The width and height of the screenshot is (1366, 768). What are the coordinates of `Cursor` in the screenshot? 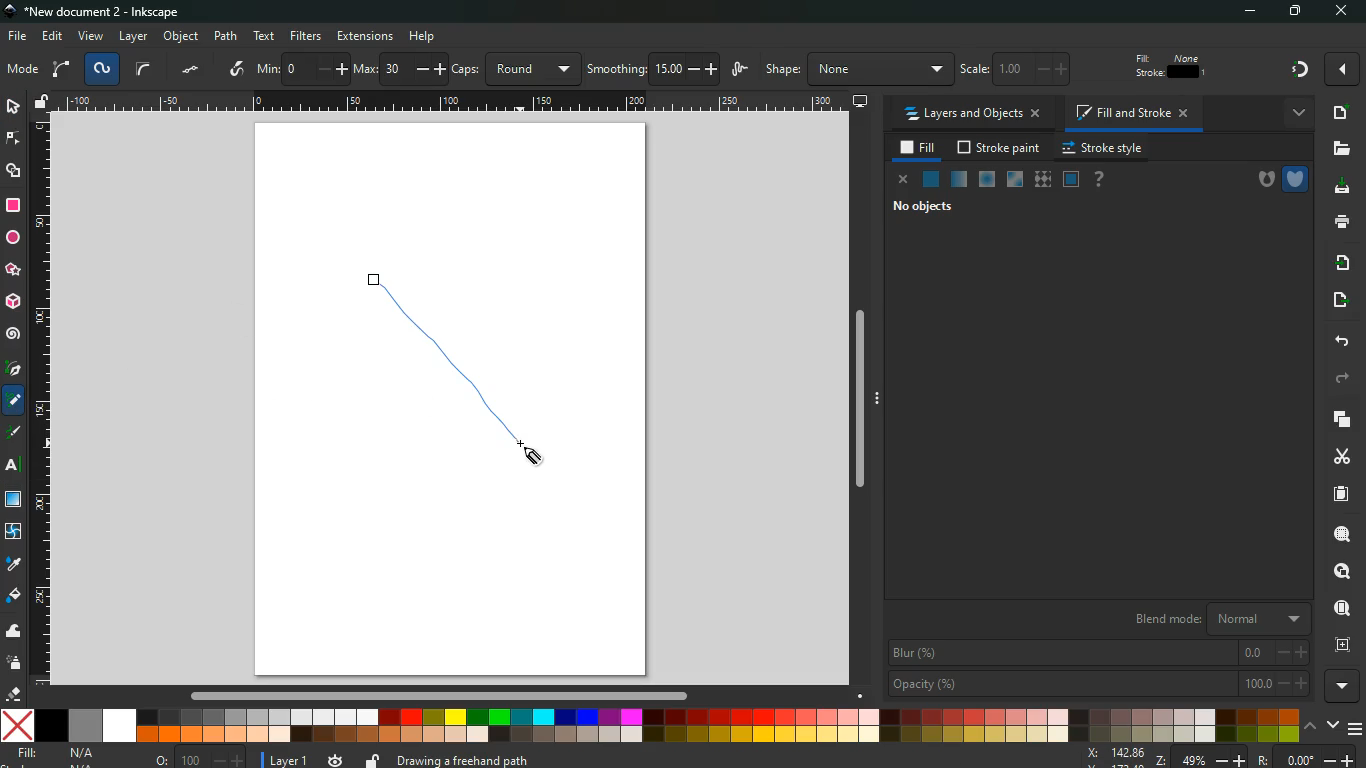 It's located at (528, 452).